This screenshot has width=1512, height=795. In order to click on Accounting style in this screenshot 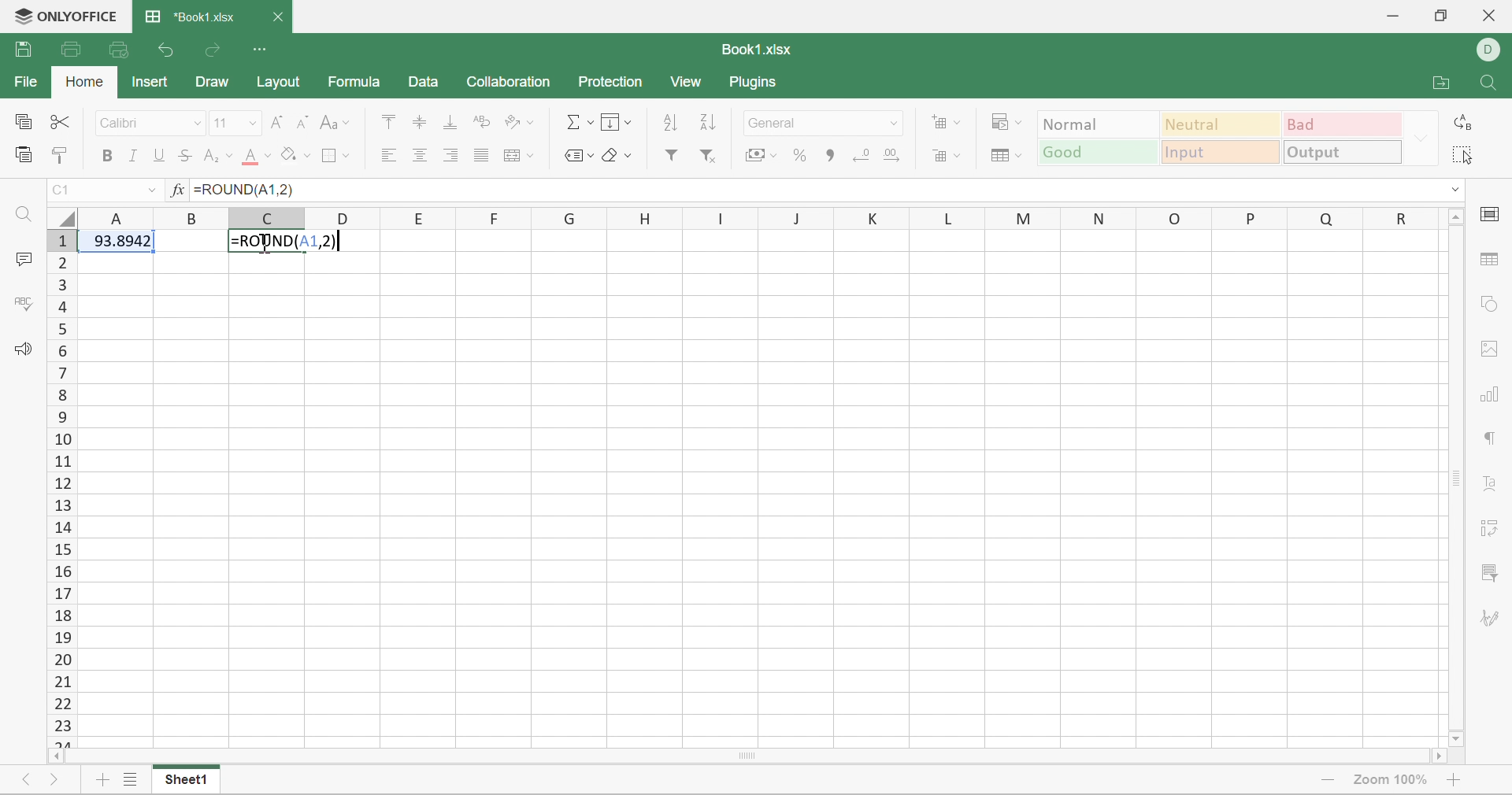, I will do `click(761, 155)`.